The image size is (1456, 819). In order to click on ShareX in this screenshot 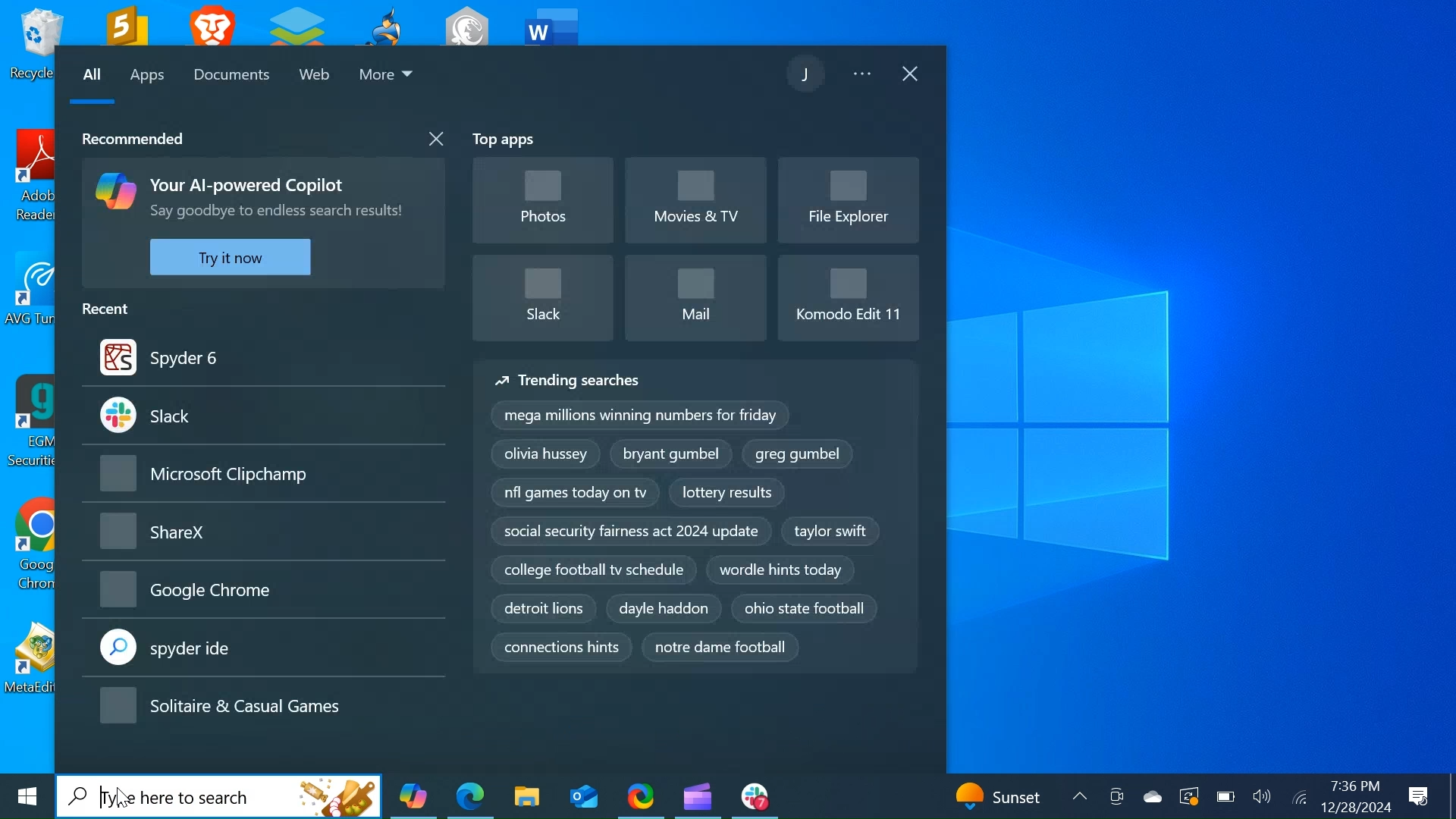, I will do `click(265, 534)`.